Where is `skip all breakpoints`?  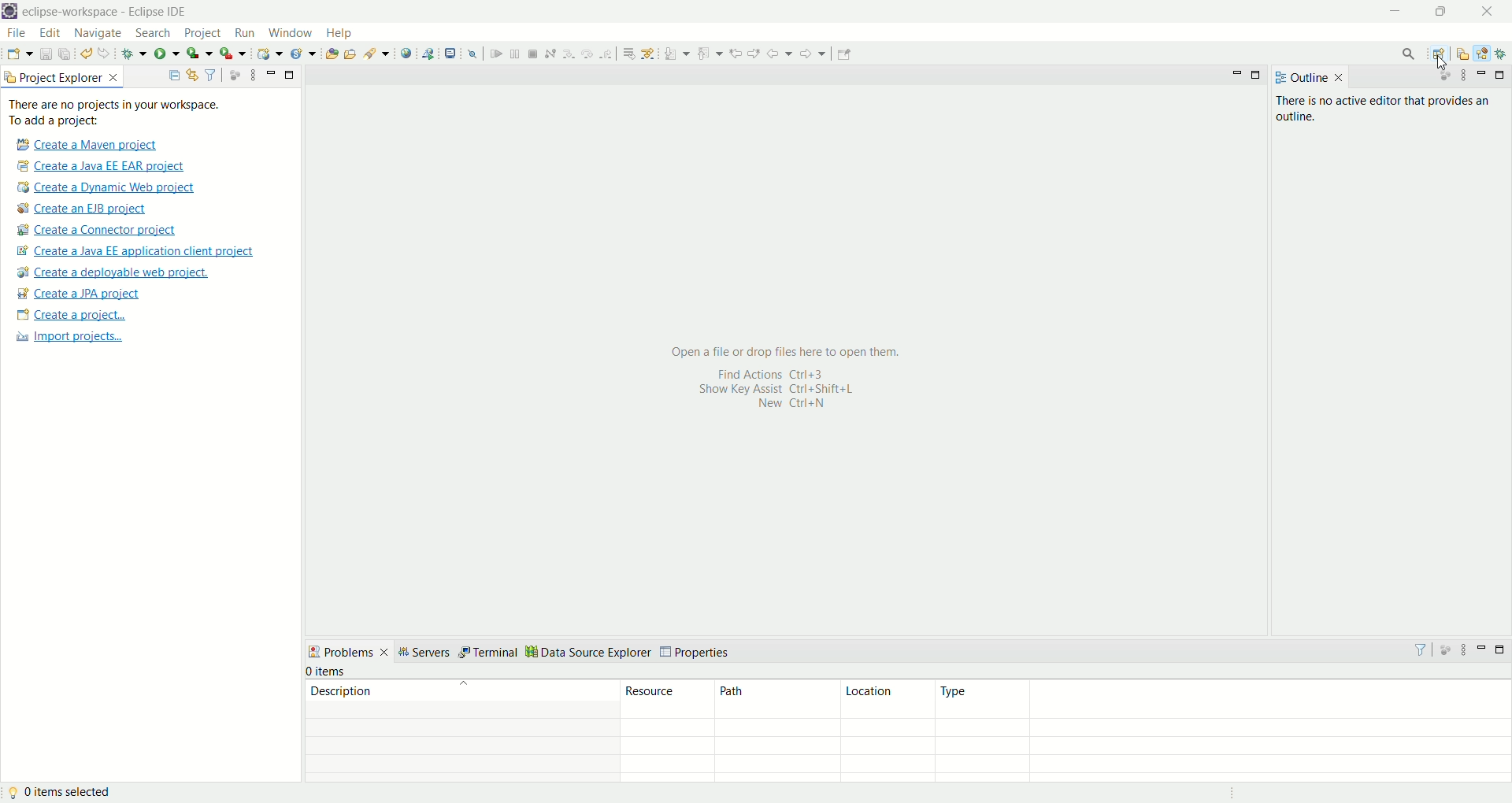
skip all breakpoints is located at coordinates (472, 55).